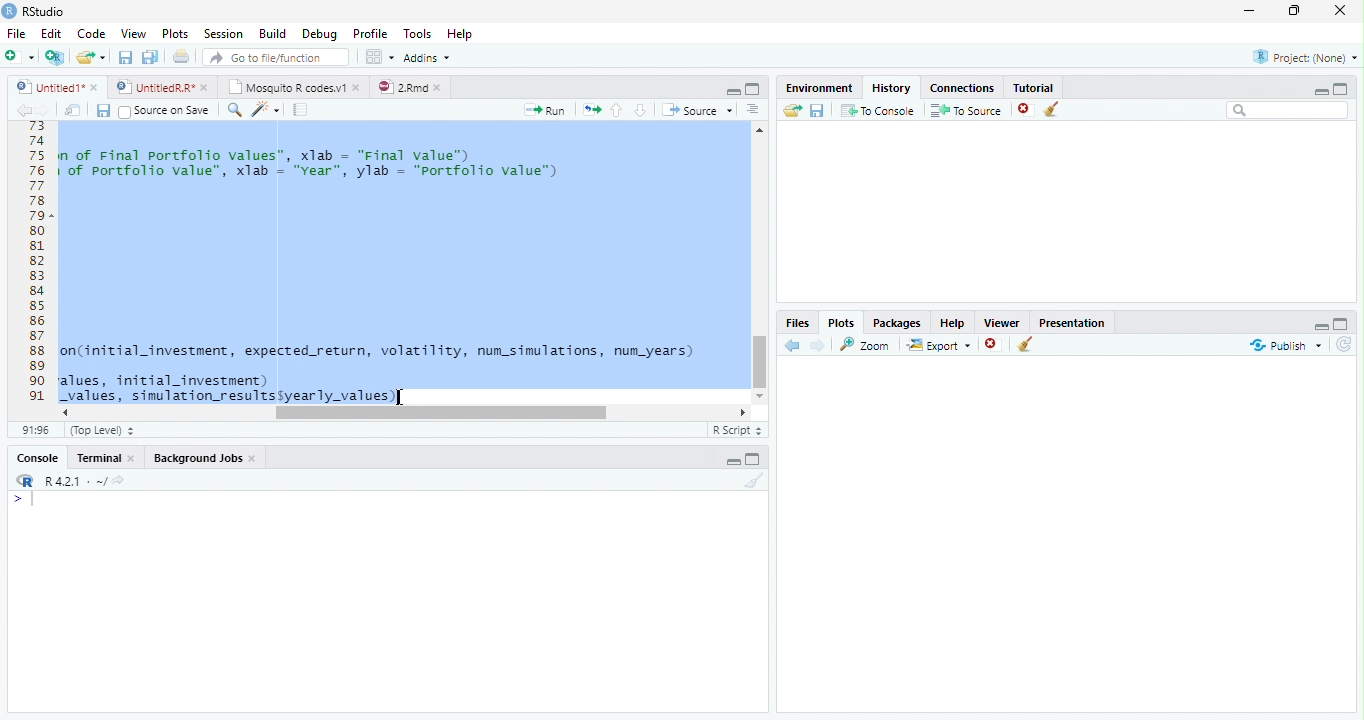 Image resolution: width=1364 pixels, height=720 pixels. I want to click on Tools, so click(416, 34).